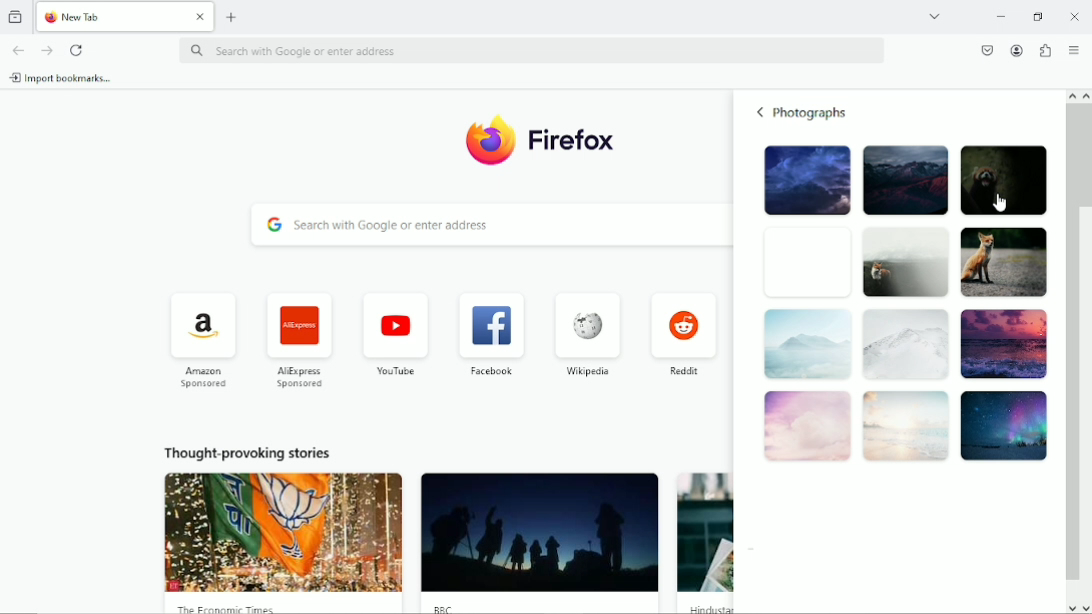 The image size is (1092, 614). What do you see at coordinates (17, 16) in the screenshot?
I see `View recent browsing across windows and devices` at bounding box center [17, 16].